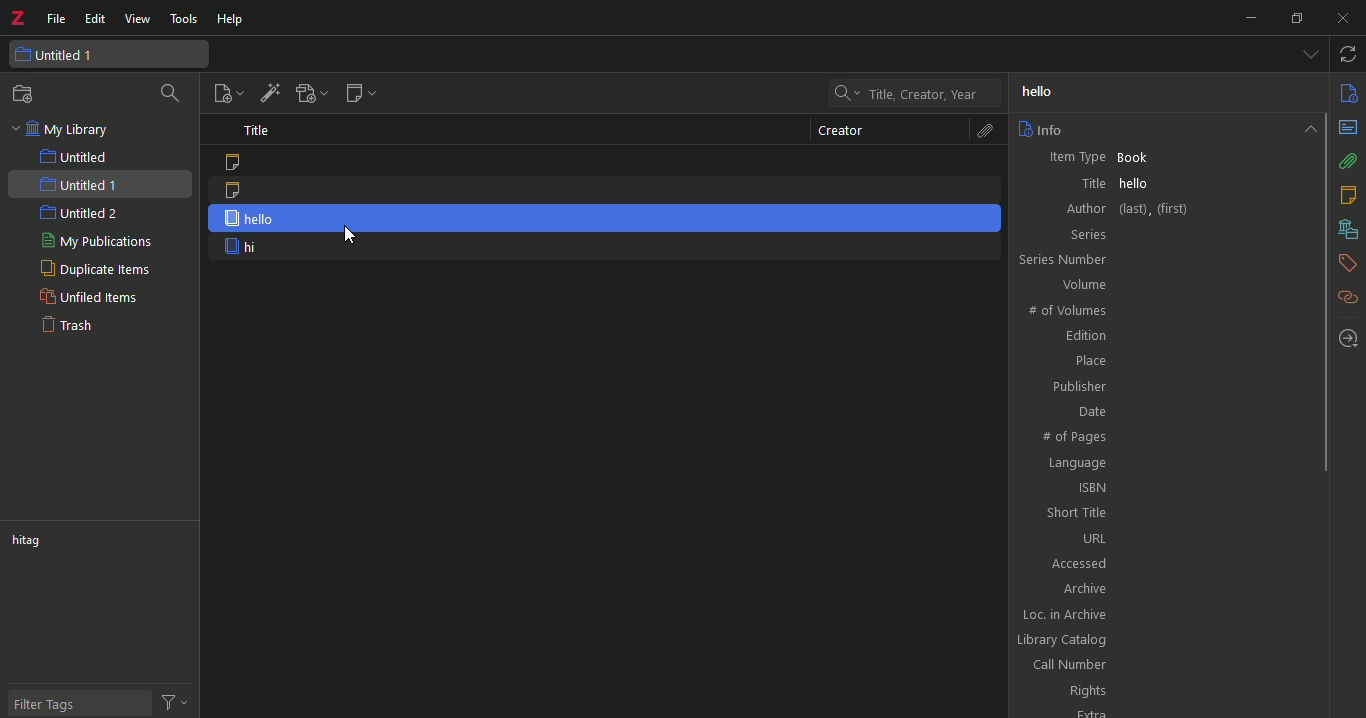 This screenshot has height=718, width=1366. I want to click on new item, so click(230, 94).